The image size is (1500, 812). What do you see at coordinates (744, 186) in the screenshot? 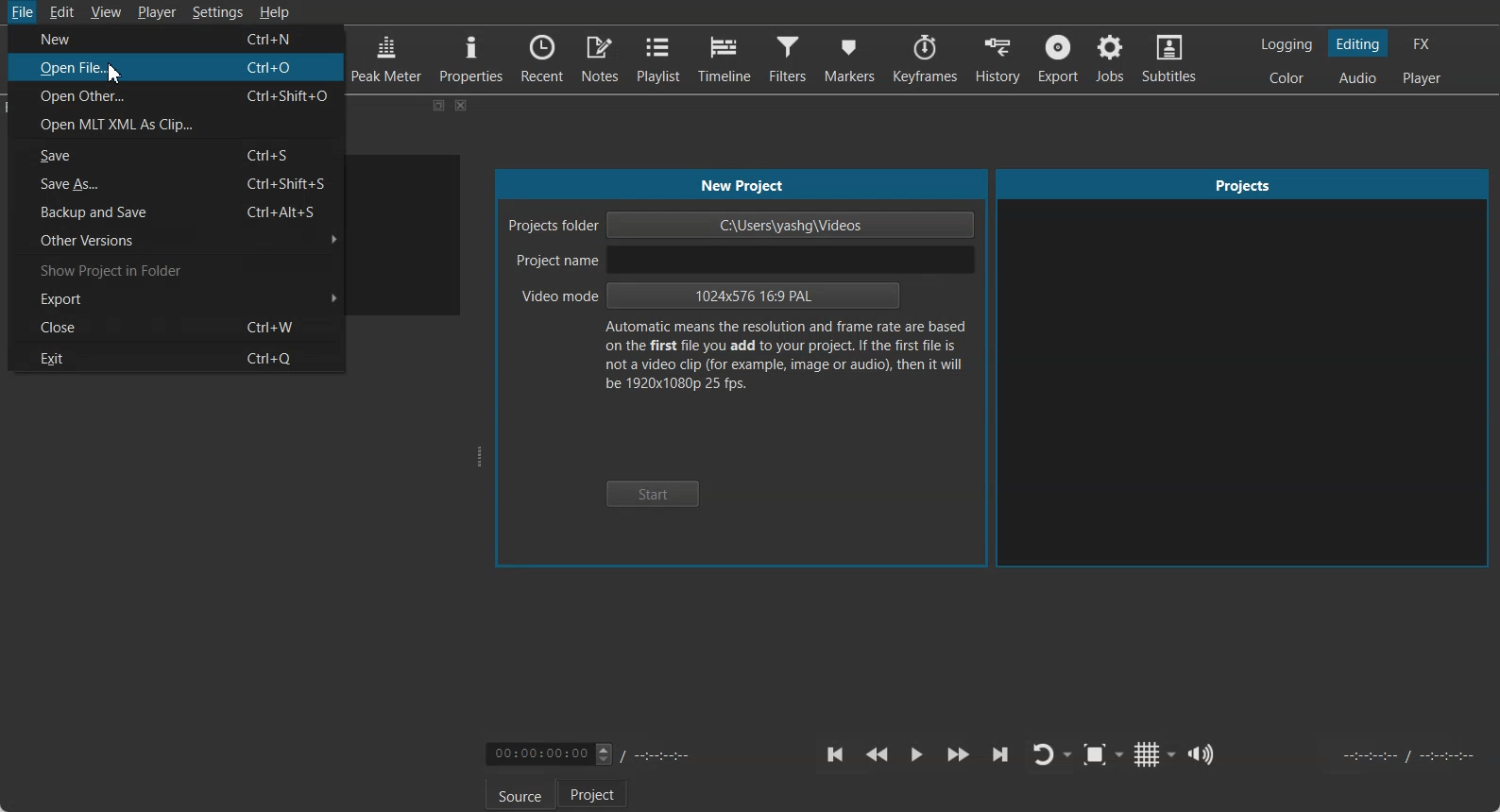
I see `Text` at bounding box center [744, 186].